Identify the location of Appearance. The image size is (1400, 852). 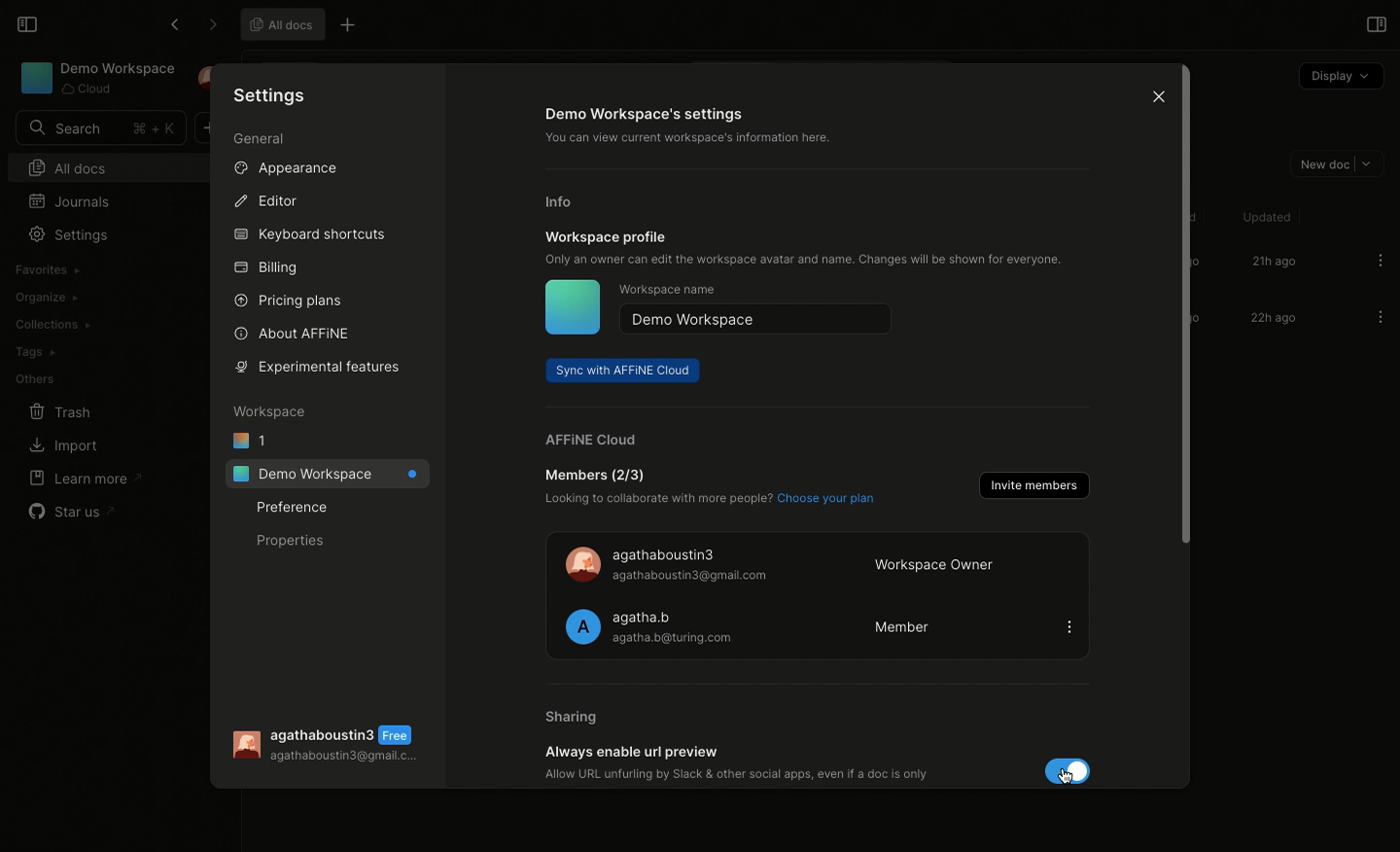
(283, 167).